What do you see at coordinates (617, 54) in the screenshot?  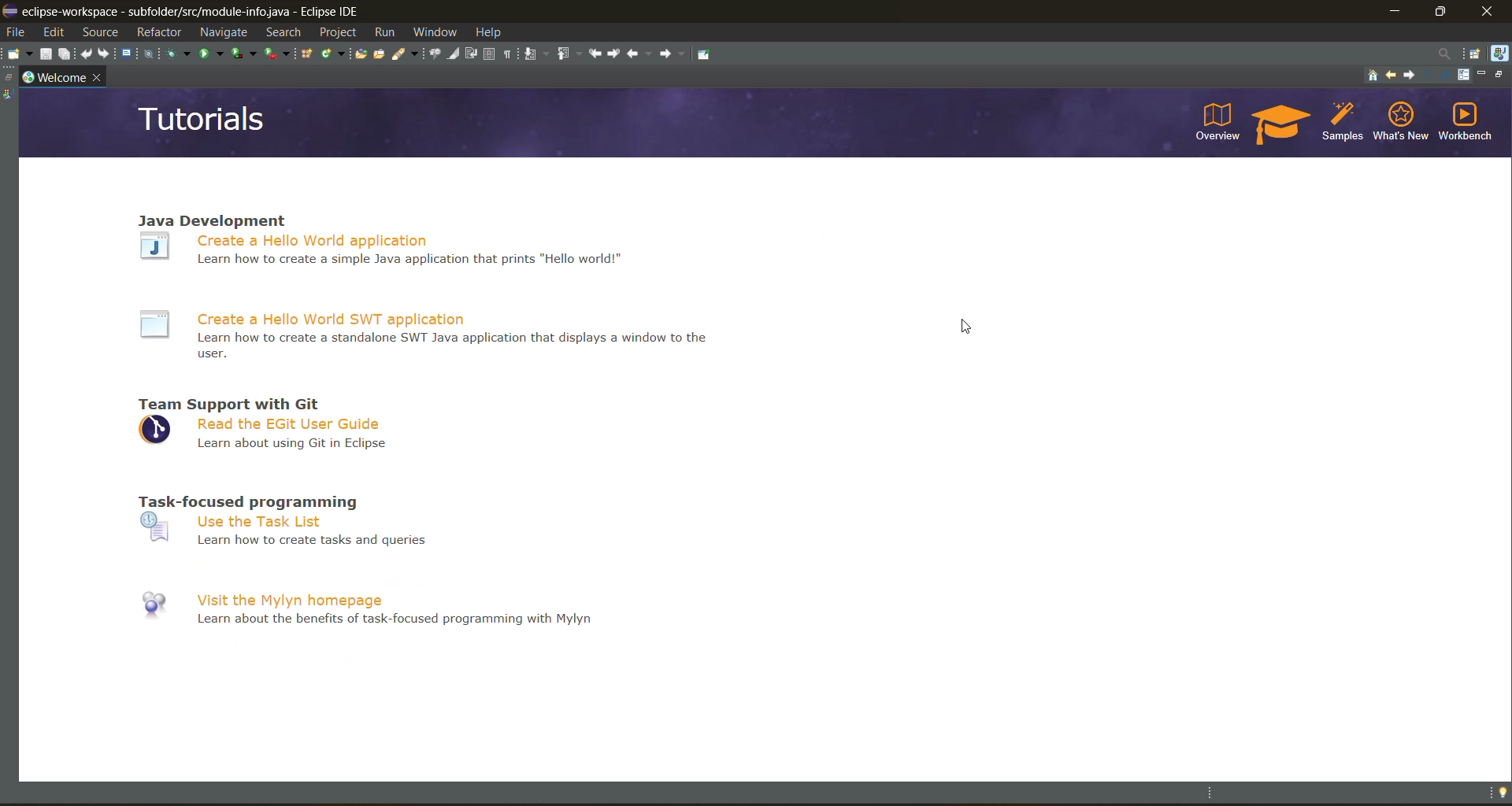 I see `next edit location` at bounding box center [617, 54].